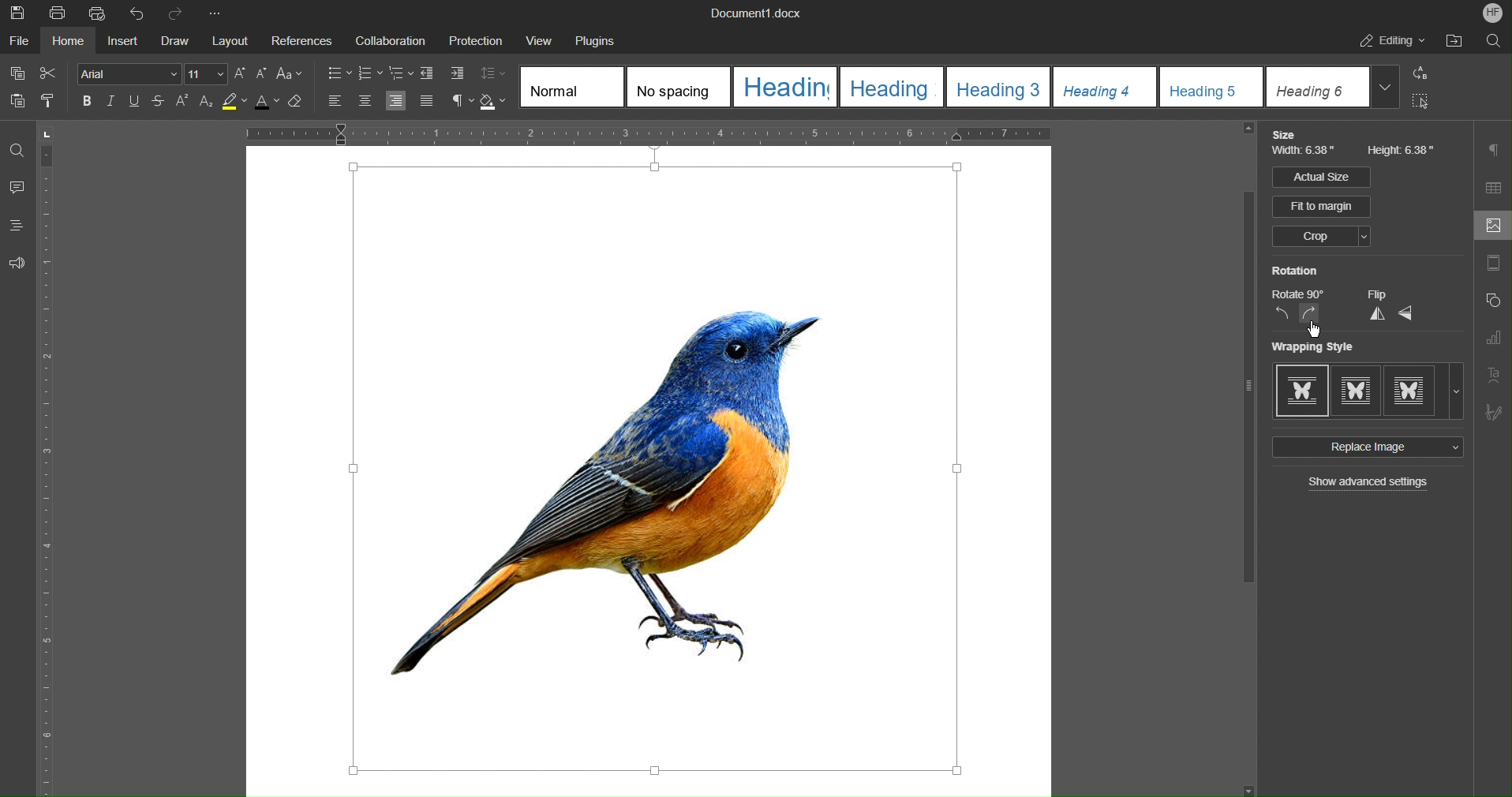 This screenshot has width=1512, height=797. What do you see at coordinates (16, 73) in the screenshot?
I see `Copy` at bounding box center [16, 73].